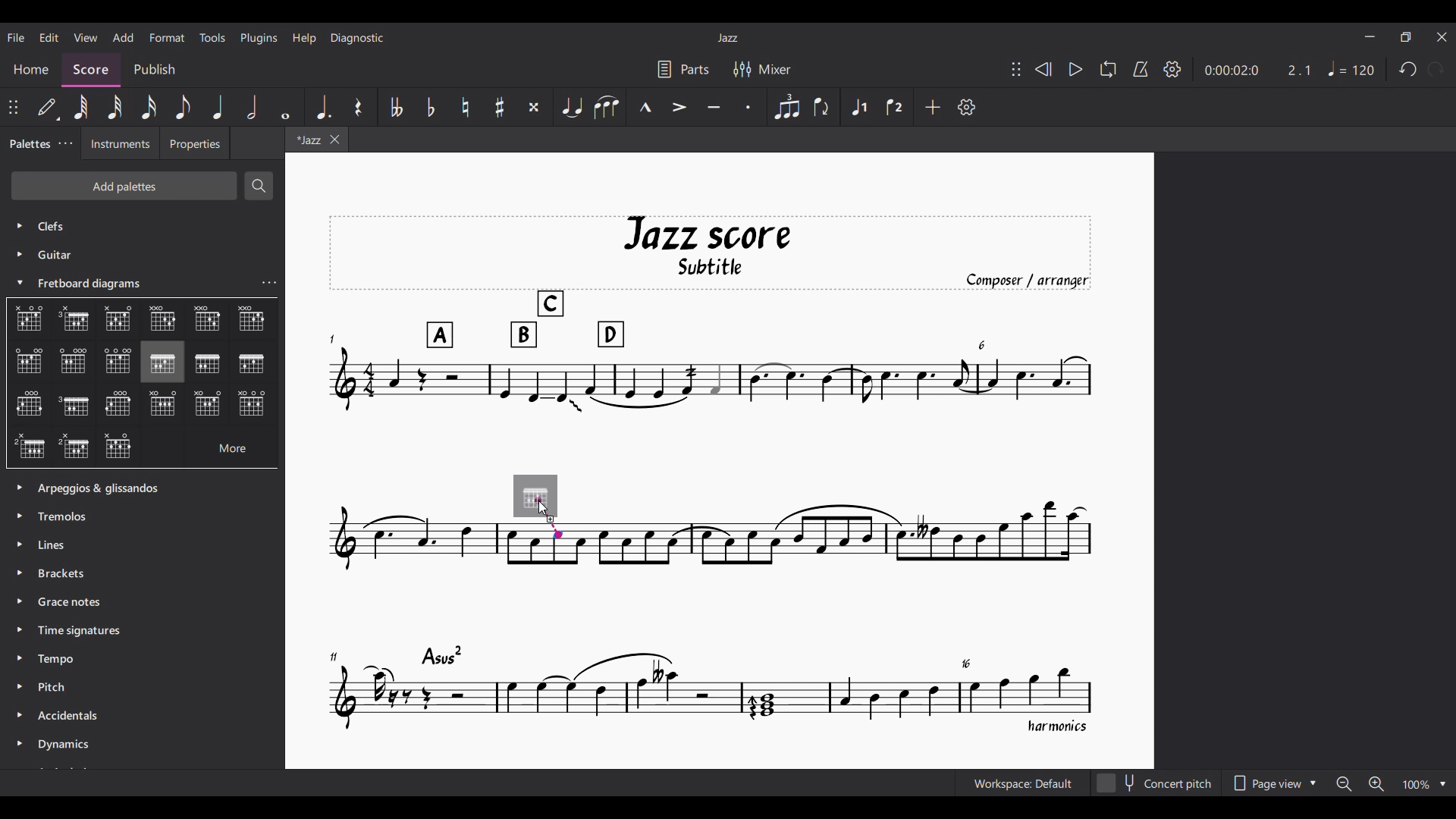 Image resolution: width=1456 pixels, height=819 pixels. Describe the element at coordinates (123, 185) in the screenshot. I see `Add palettes` at that location.